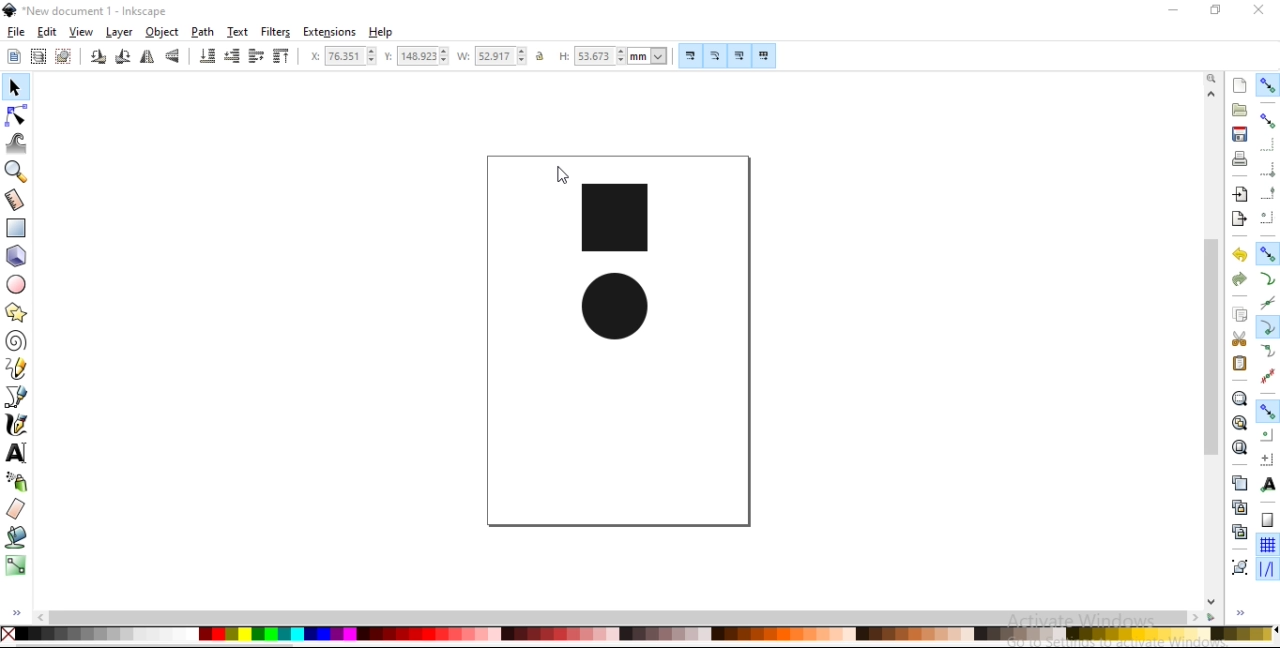  What do you see at coordinates (276, 31) in the screenshot?
I see `filters` at bounding box center [276, 31].